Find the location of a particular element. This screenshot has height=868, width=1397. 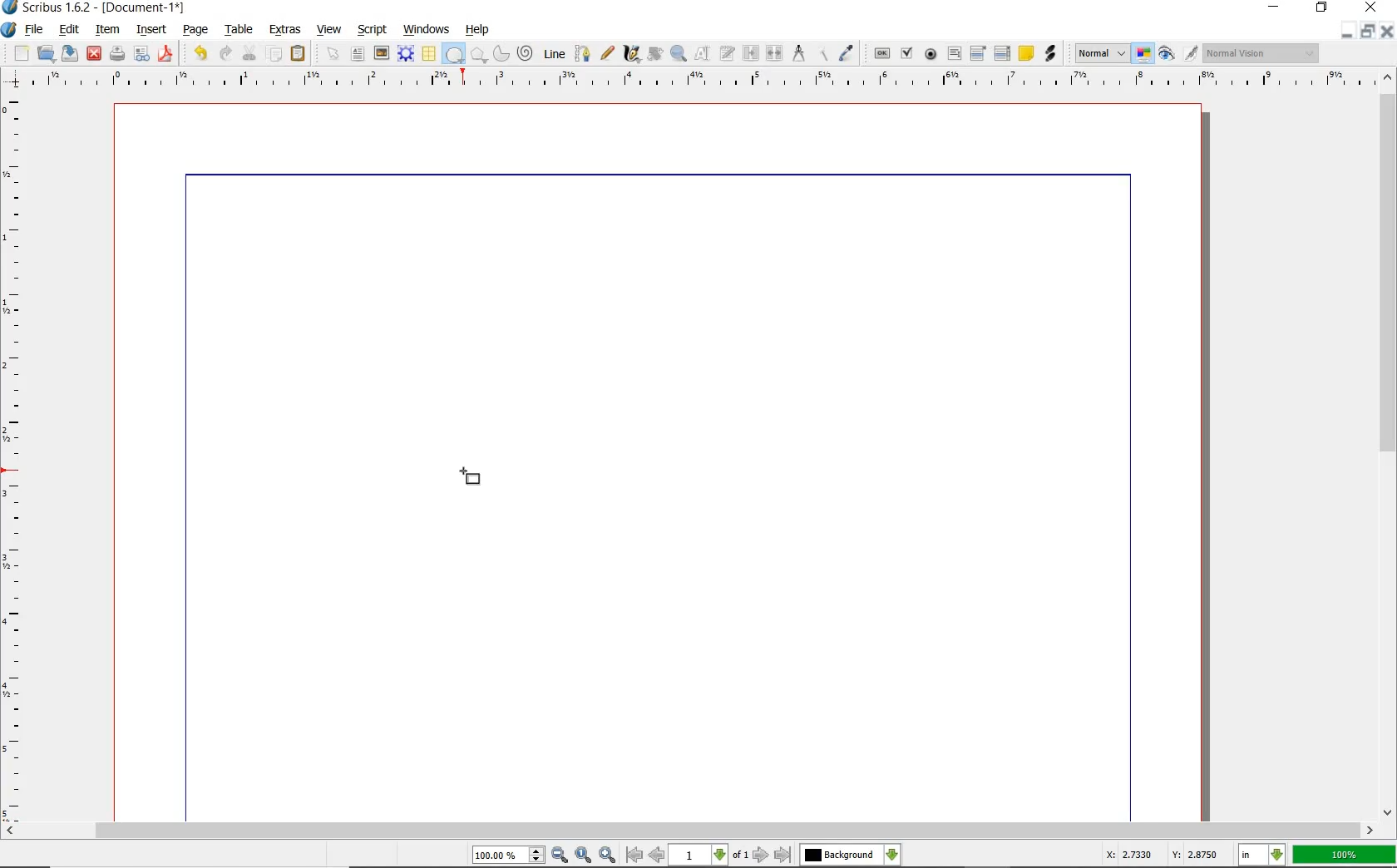

1 of 1 is located at coordinates (710, 855).